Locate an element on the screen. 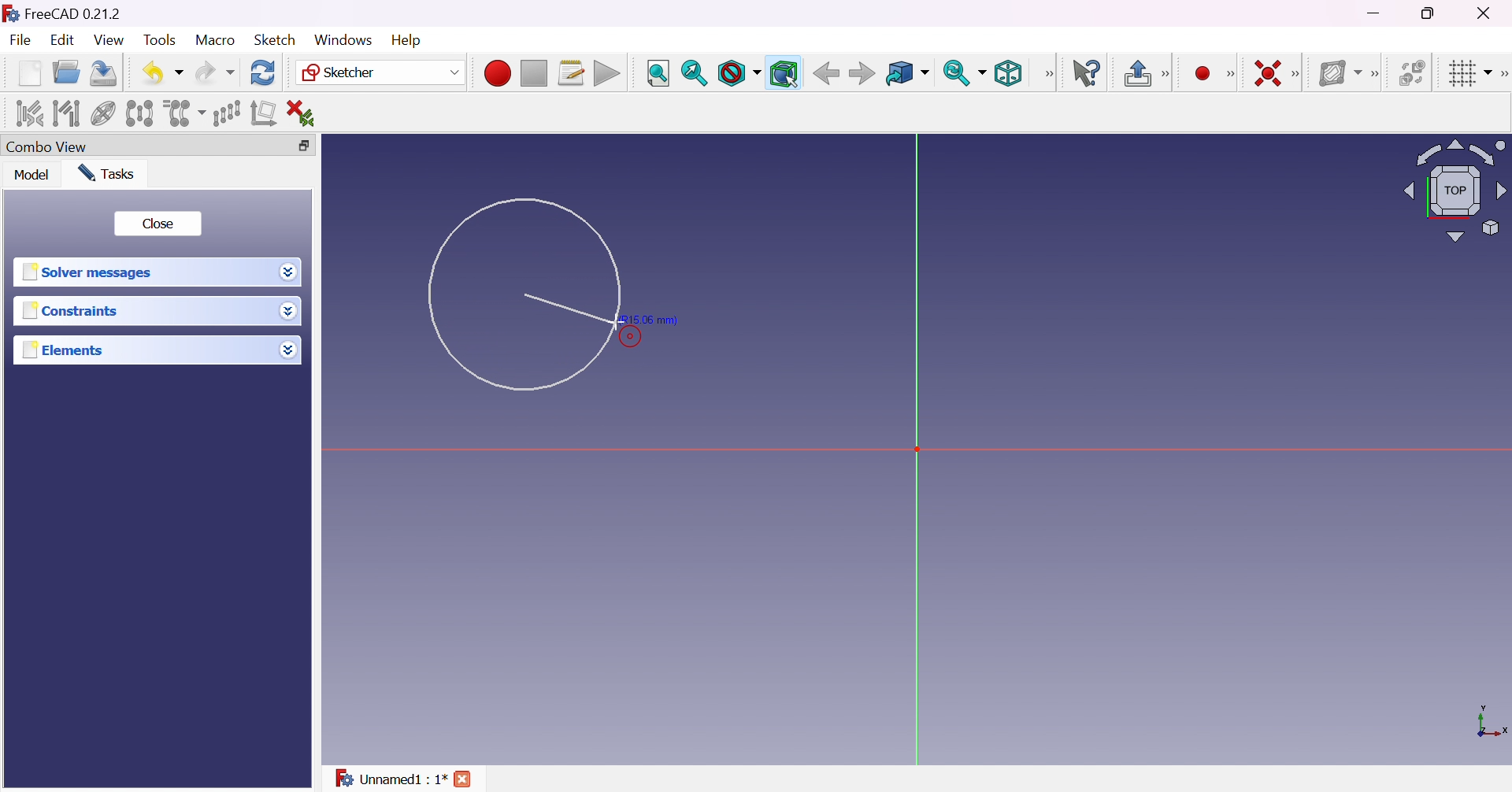 The width and height of the screenshot is (1512, 792). Minimize is located at coordinates (1377, 13).